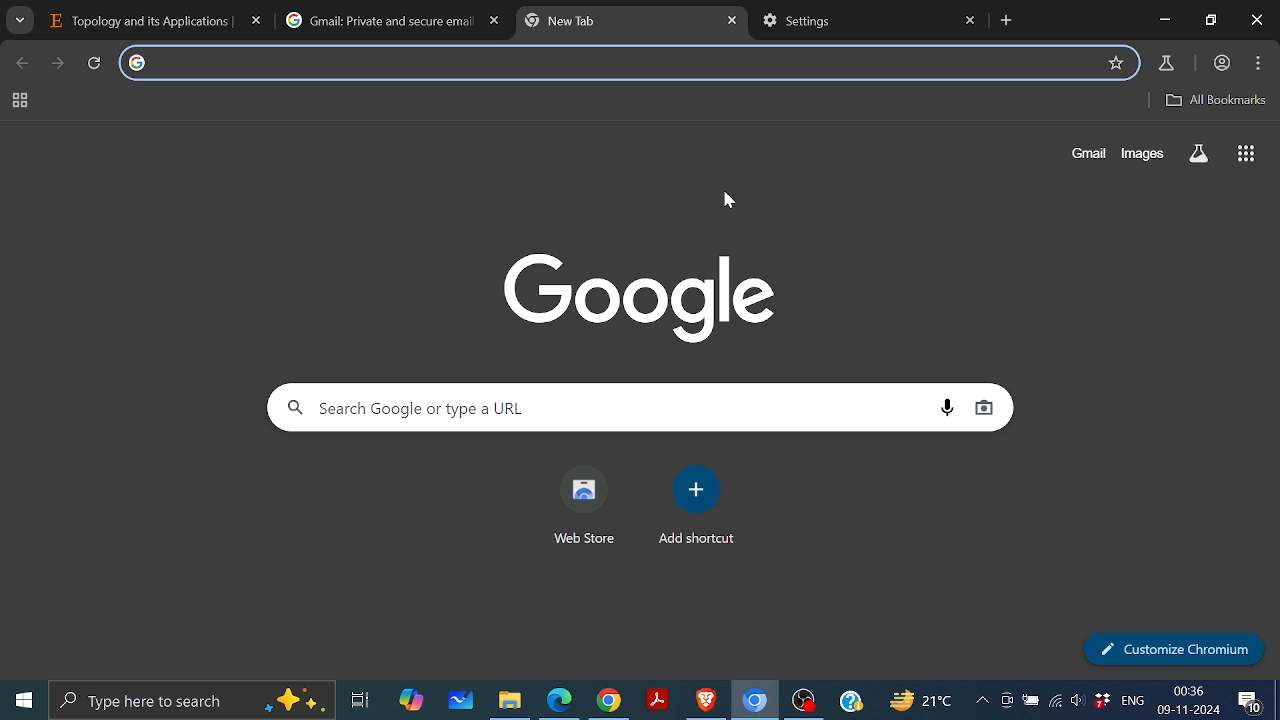  Describe the element at coordinates (694, 506) in the screenshot. I see `Add shortcut` at that location.